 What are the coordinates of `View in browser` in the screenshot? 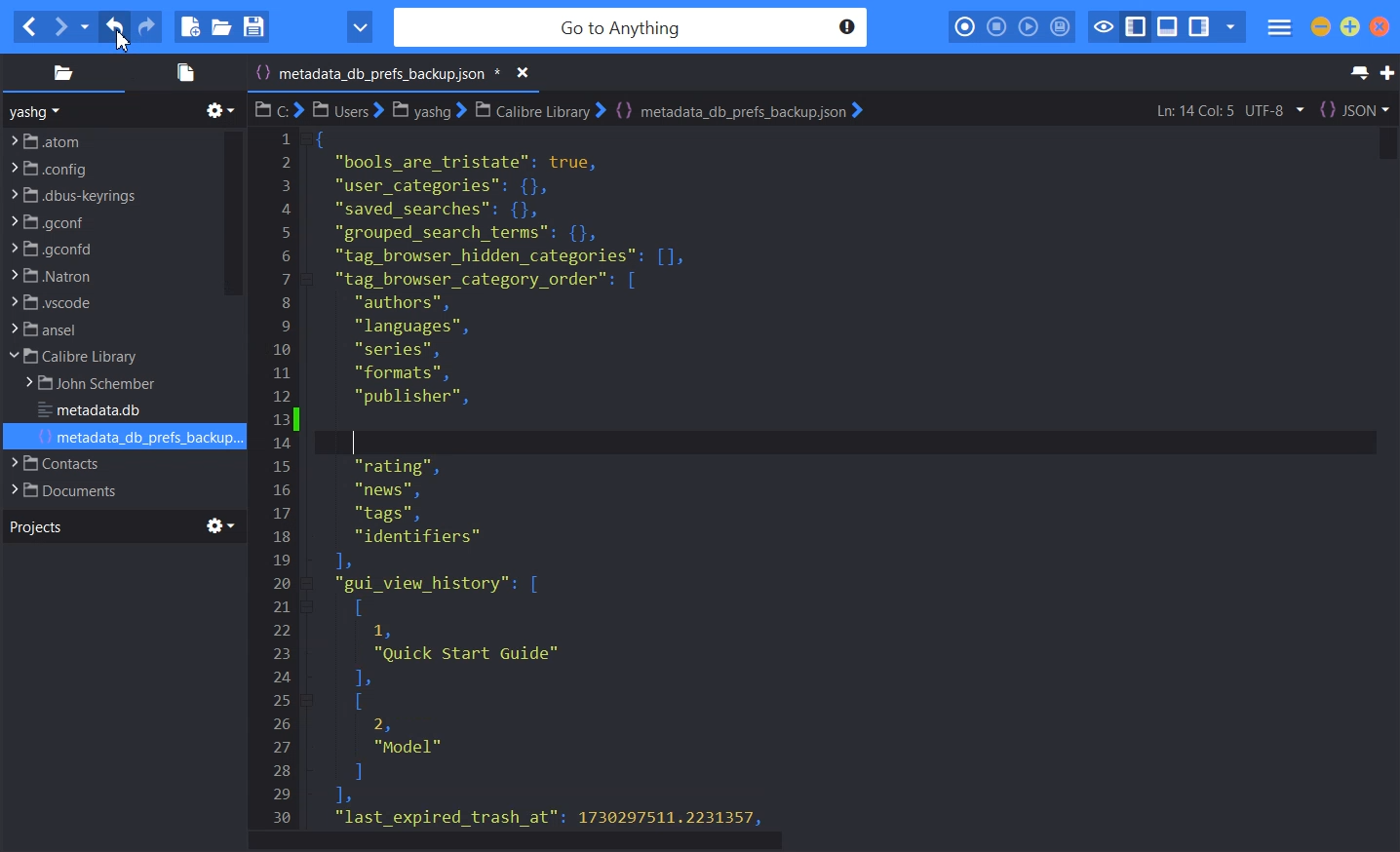 It's located at (360, 27).